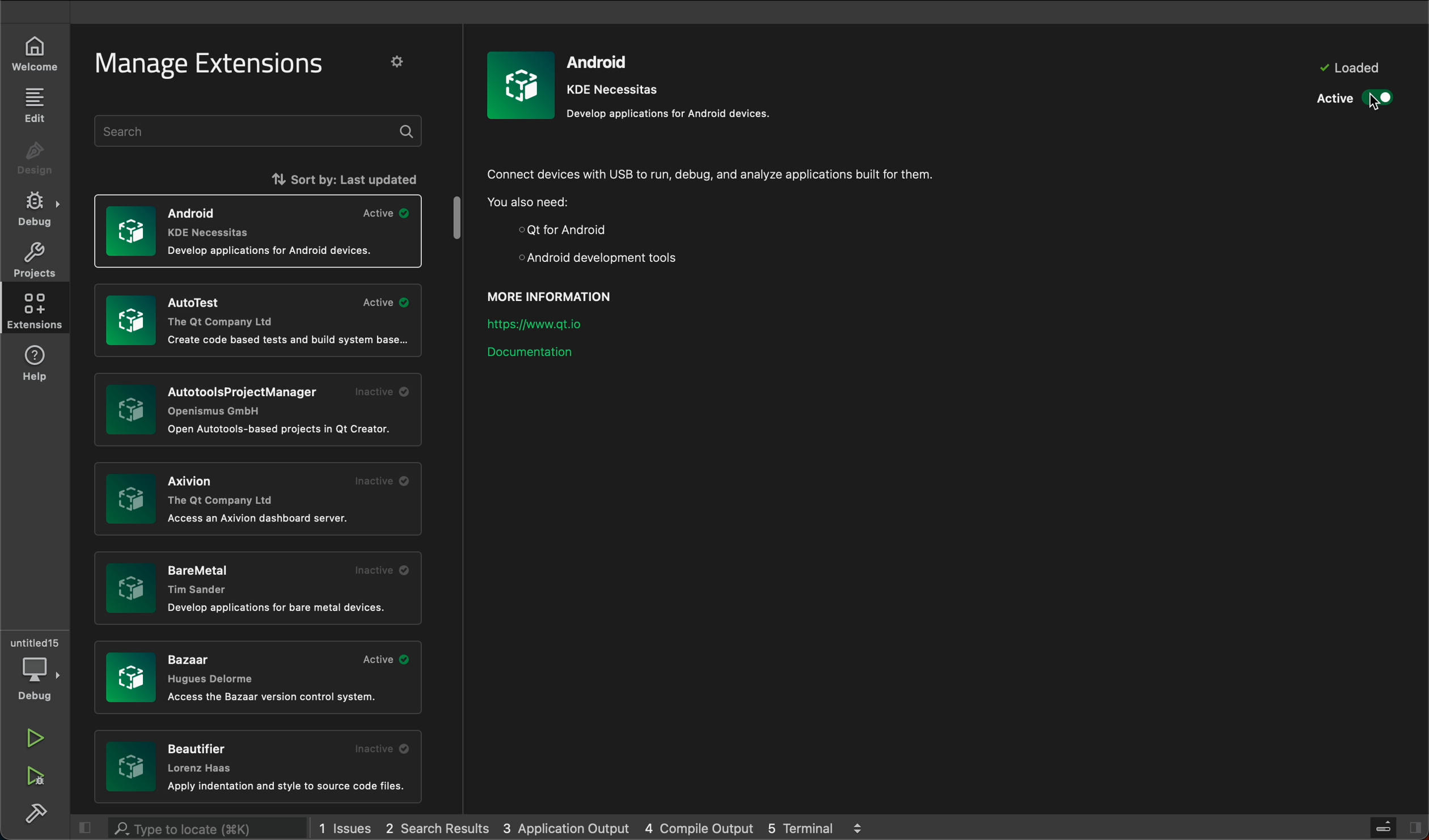 The image size is (1429, 840). What do you see at coordinates (674, 84) in the screenshot?
I see `android` at bounding box center [674, 84].